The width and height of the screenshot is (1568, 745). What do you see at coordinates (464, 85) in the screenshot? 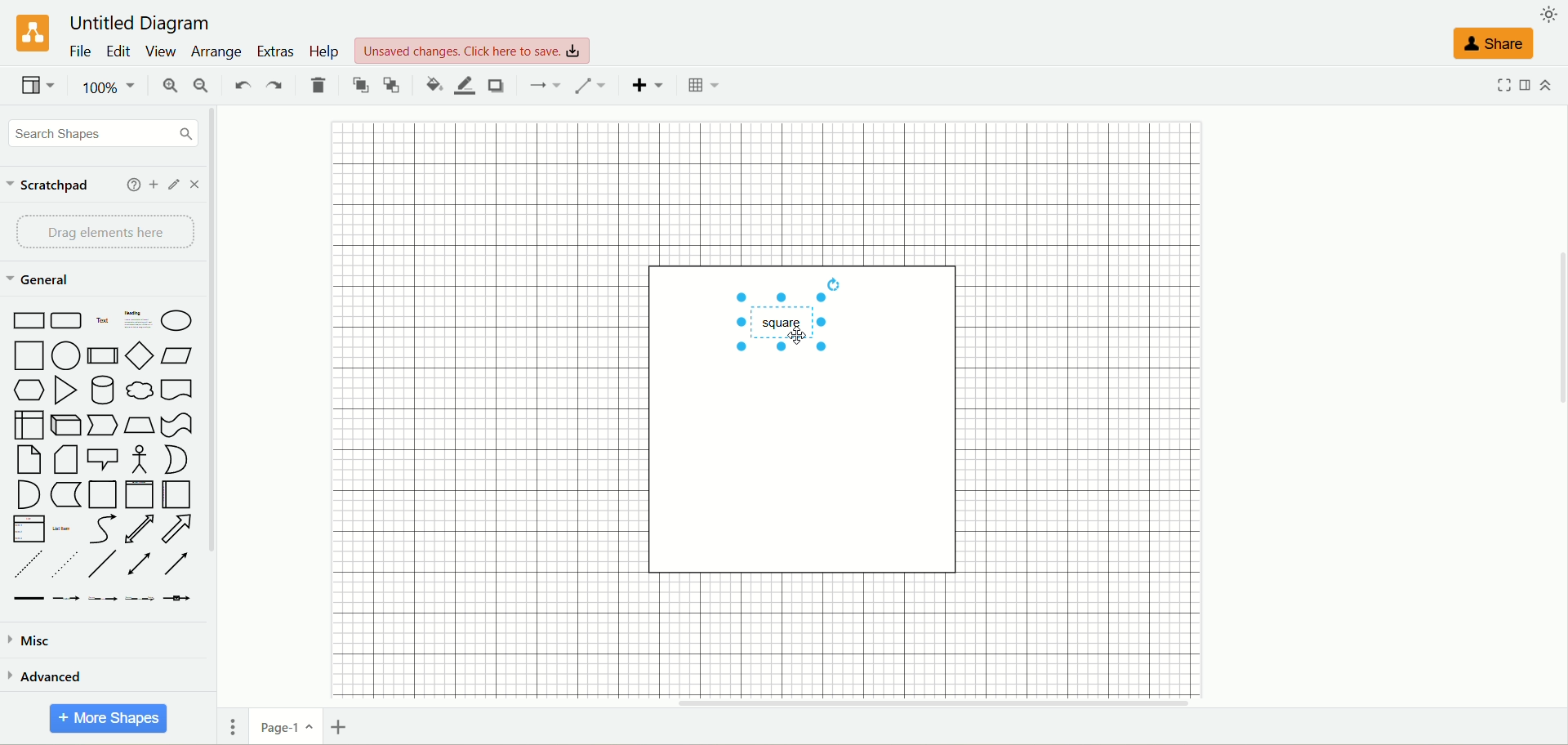
I see `line color` at bounding box center [464, 85].